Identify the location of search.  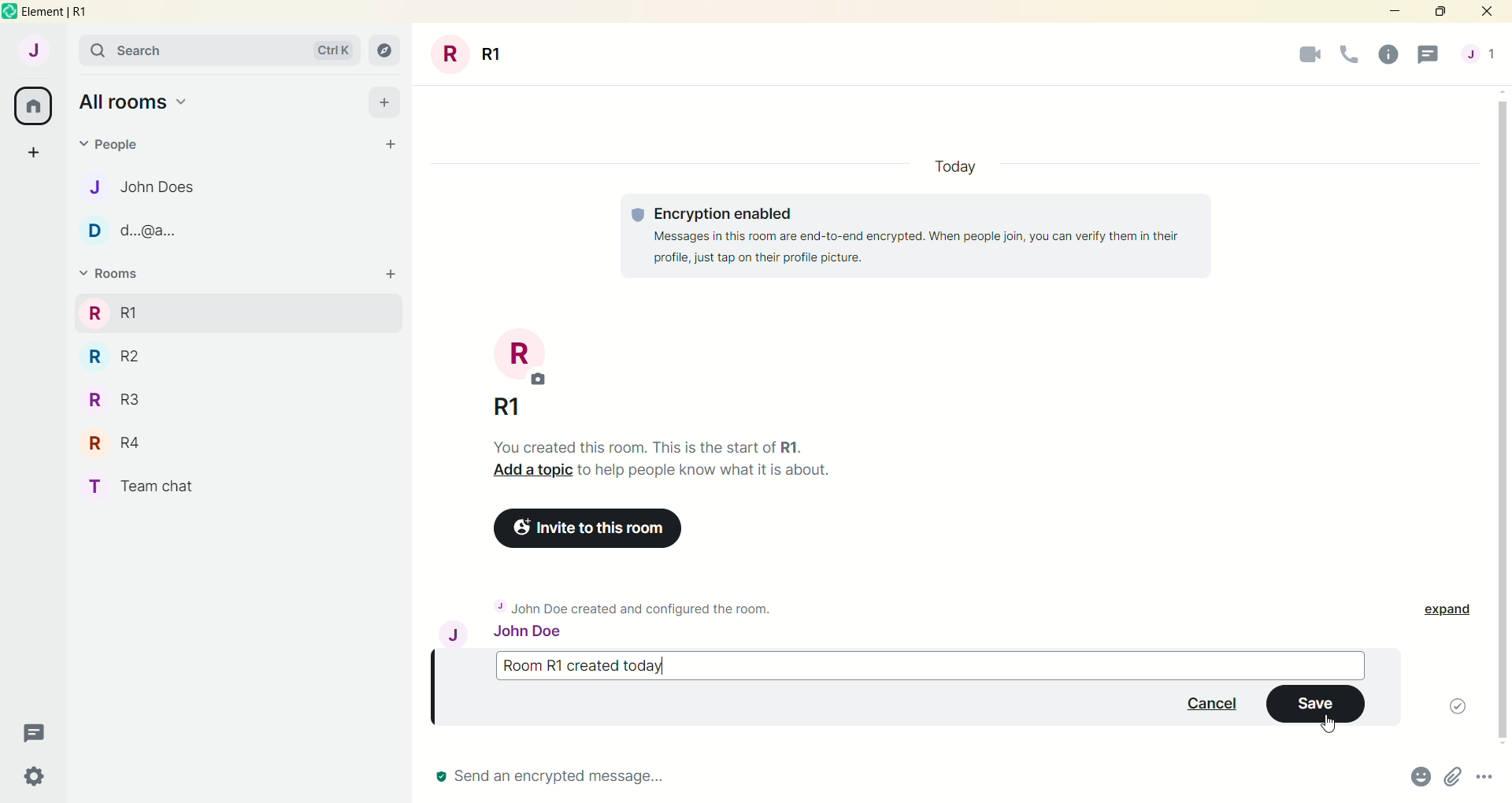
(223, 52).